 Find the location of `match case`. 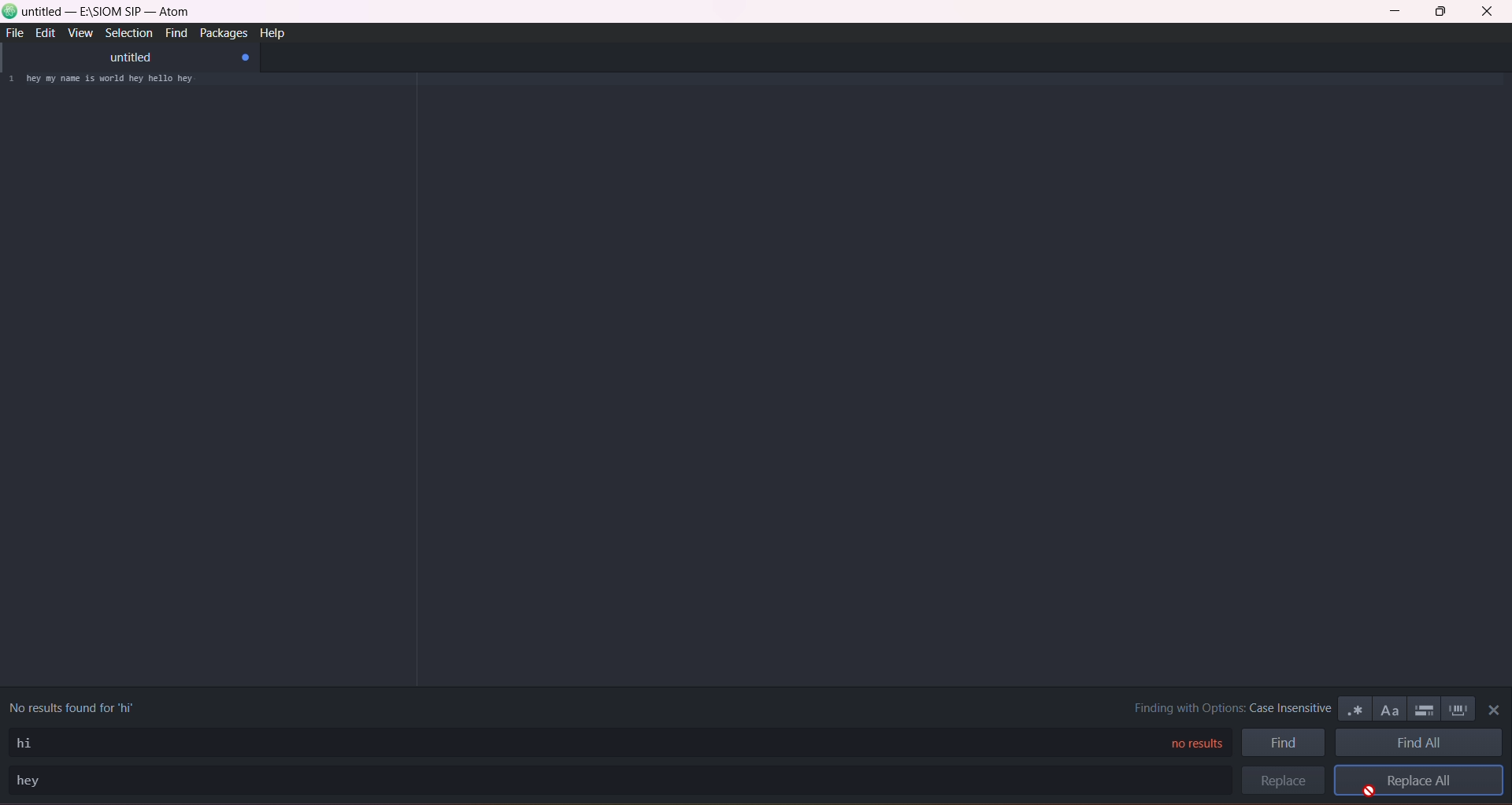

match case is located at coordinates (1387, 707).